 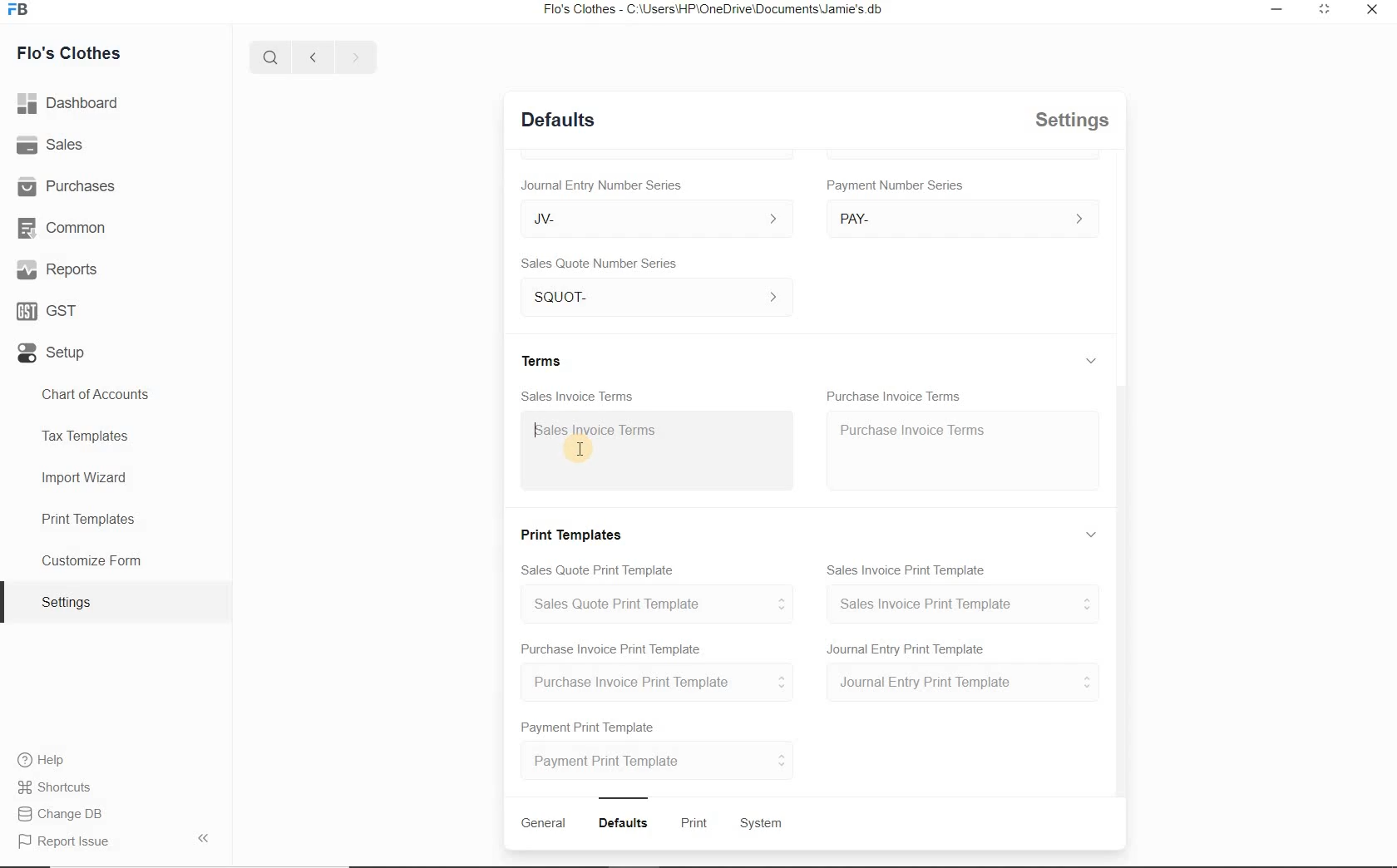 What do you see at coordinates (54, 147) in the screenshot?
I see `Sales` at bounding box center [54, 147].